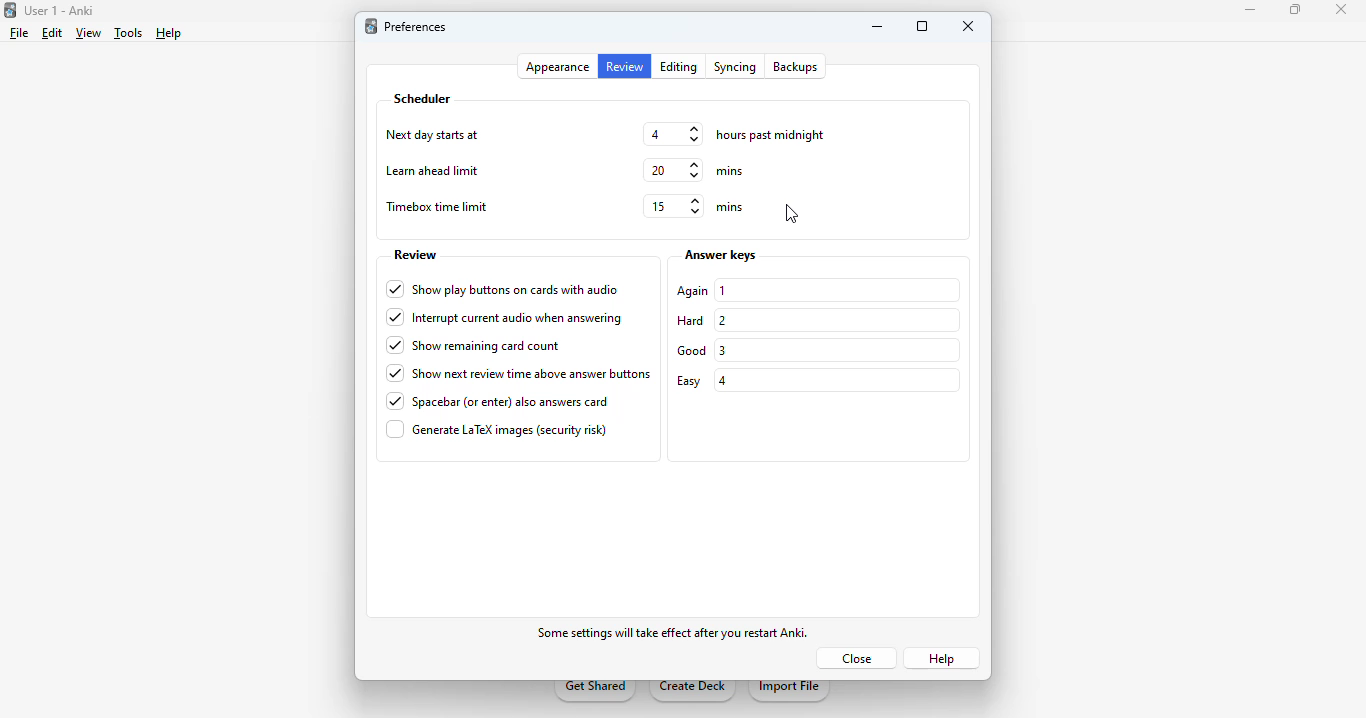  What do you see at coordinates (506, 317) in the screenshot?
I see `interrupt current audio when answering` at bounding box center [506, 317].